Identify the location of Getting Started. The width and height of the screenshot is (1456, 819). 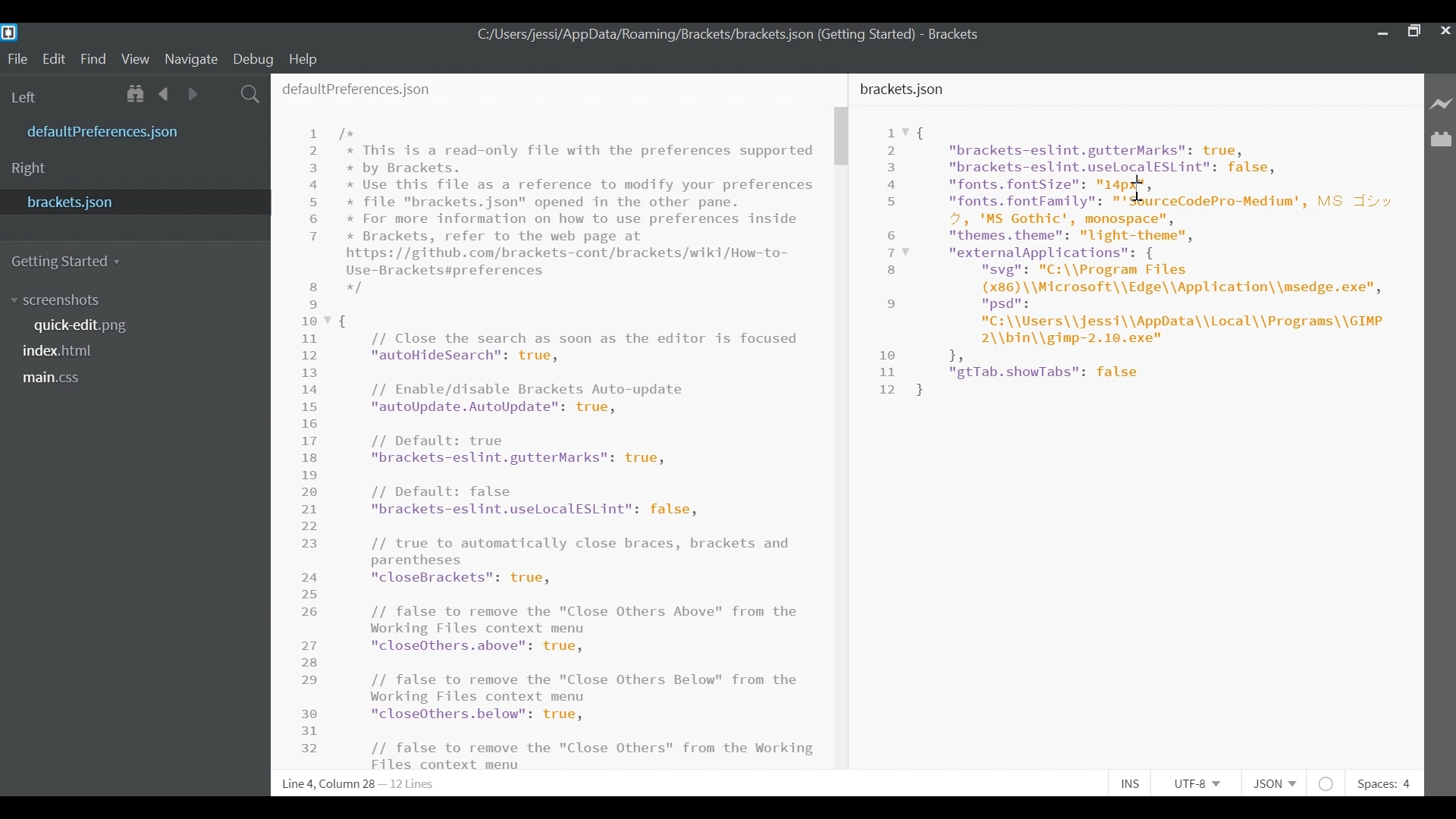
(71, 261).